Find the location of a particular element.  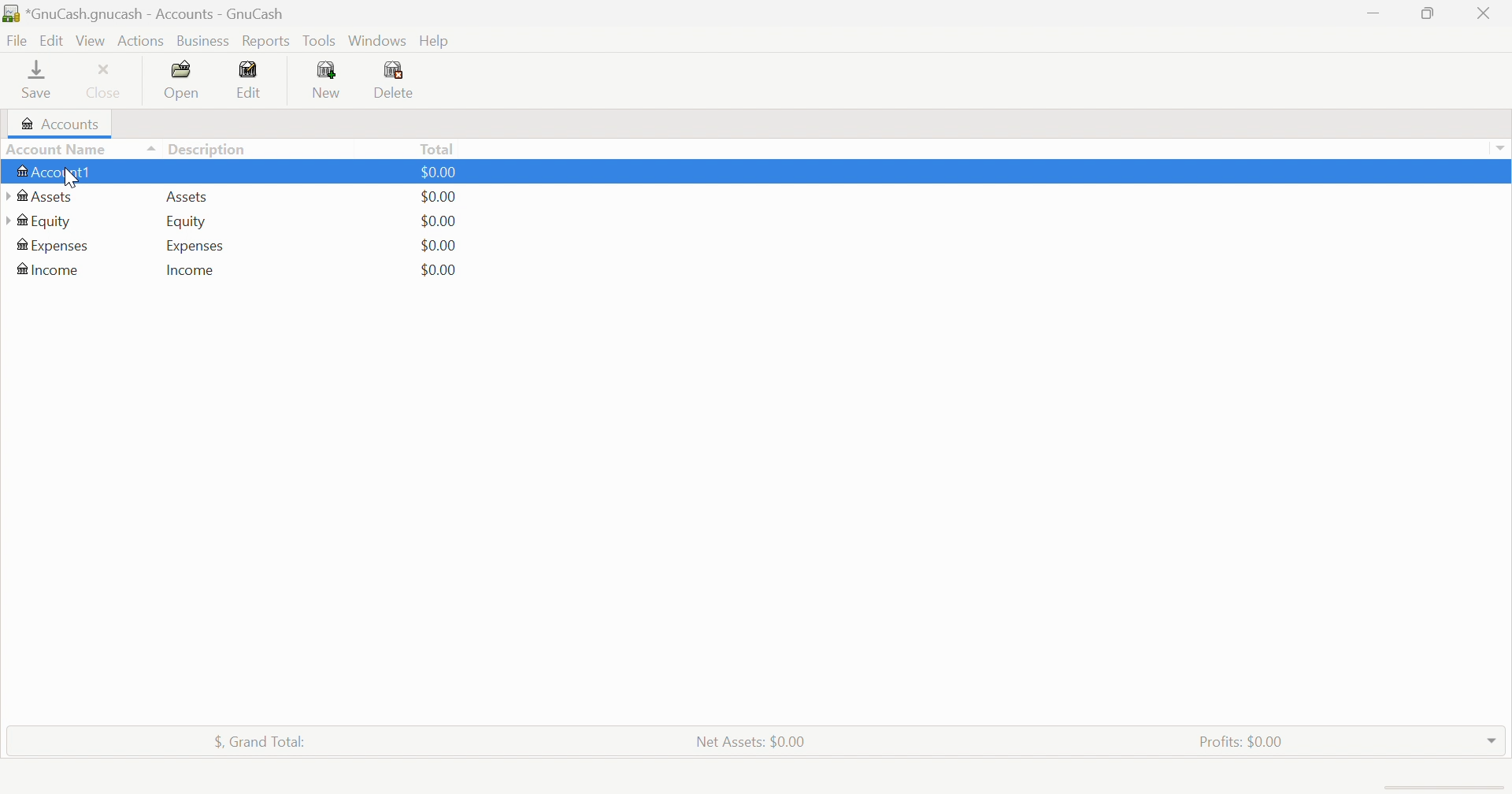

New is located at coordinates (328, 80).